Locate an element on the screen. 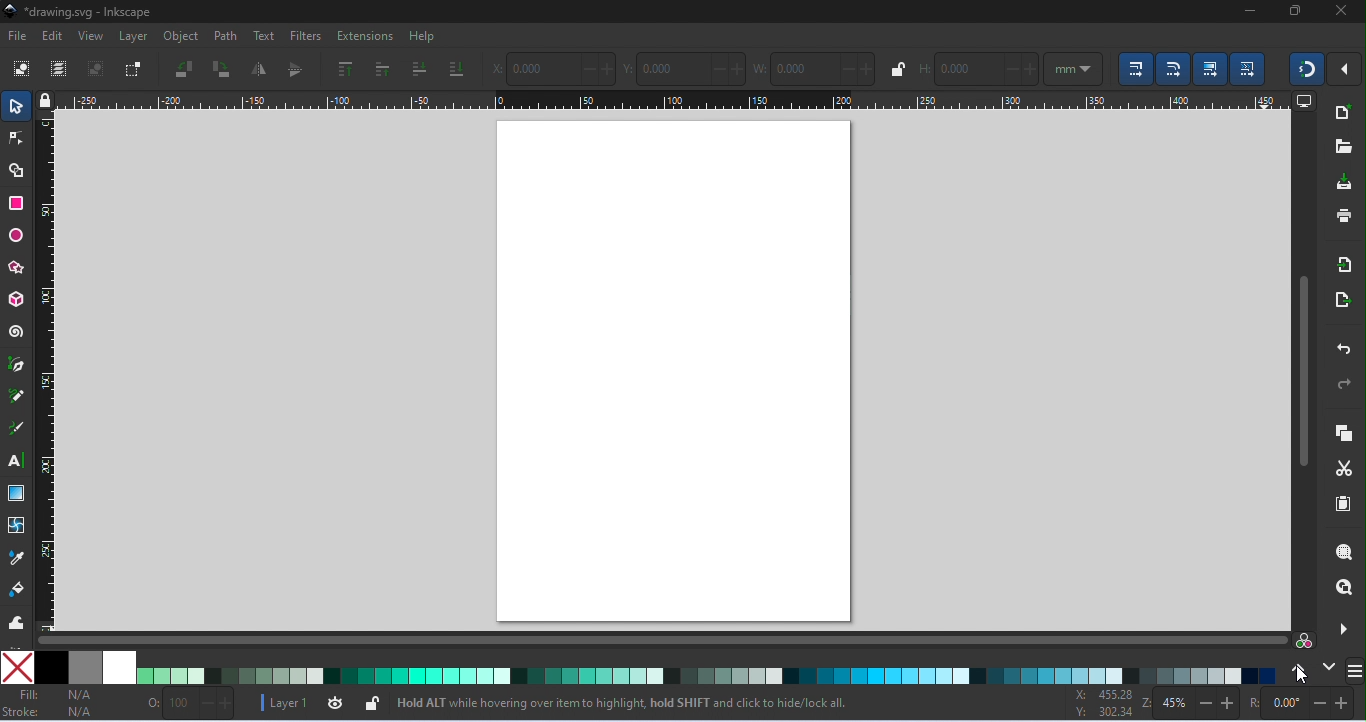 This screenshot has height=722, width=1366. spiral is located at coordinates (17, 330).